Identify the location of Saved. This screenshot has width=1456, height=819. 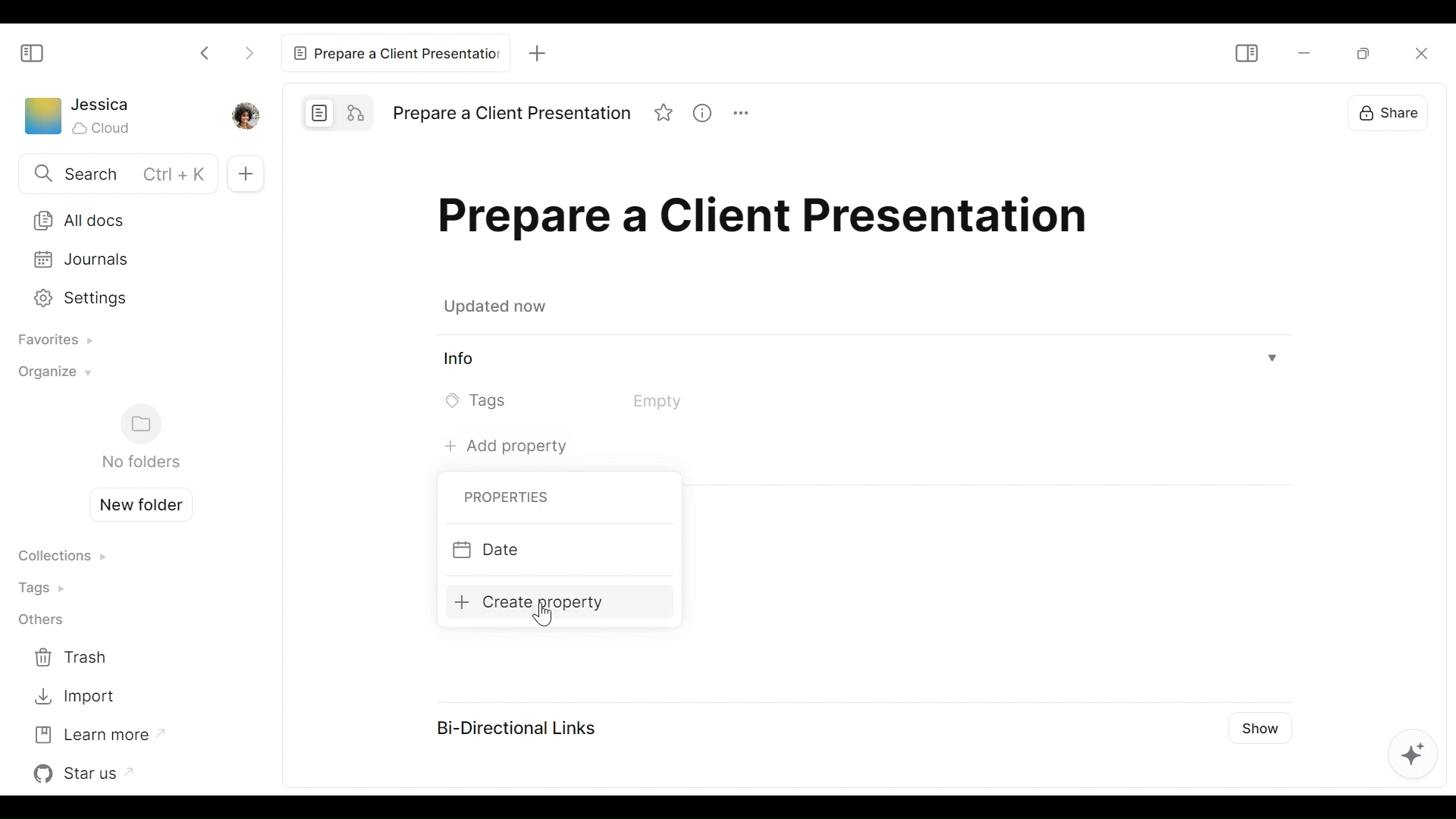
(499, 309).